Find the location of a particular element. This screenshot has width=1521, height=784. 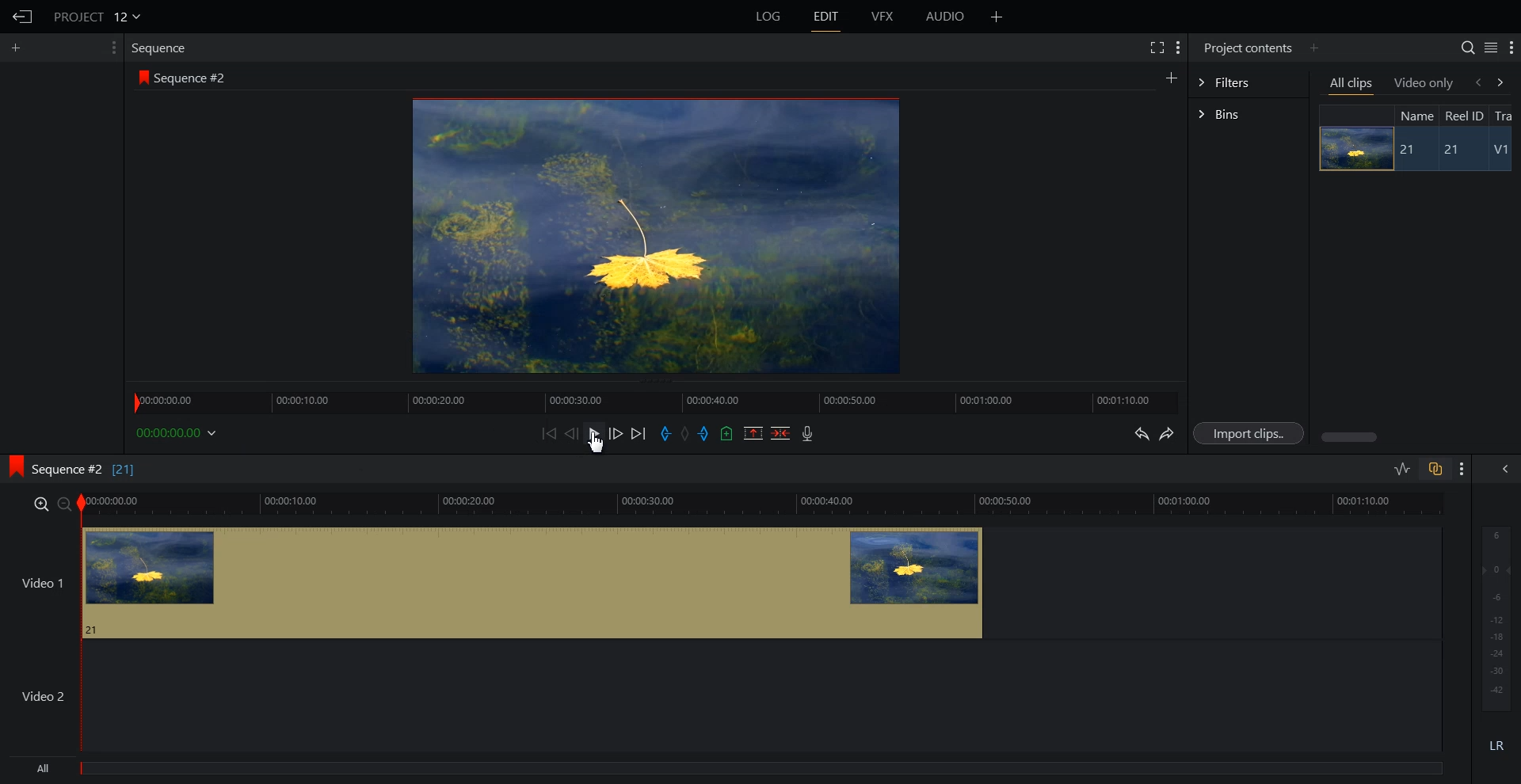

Record Audio is located at coordinates (806, 433).